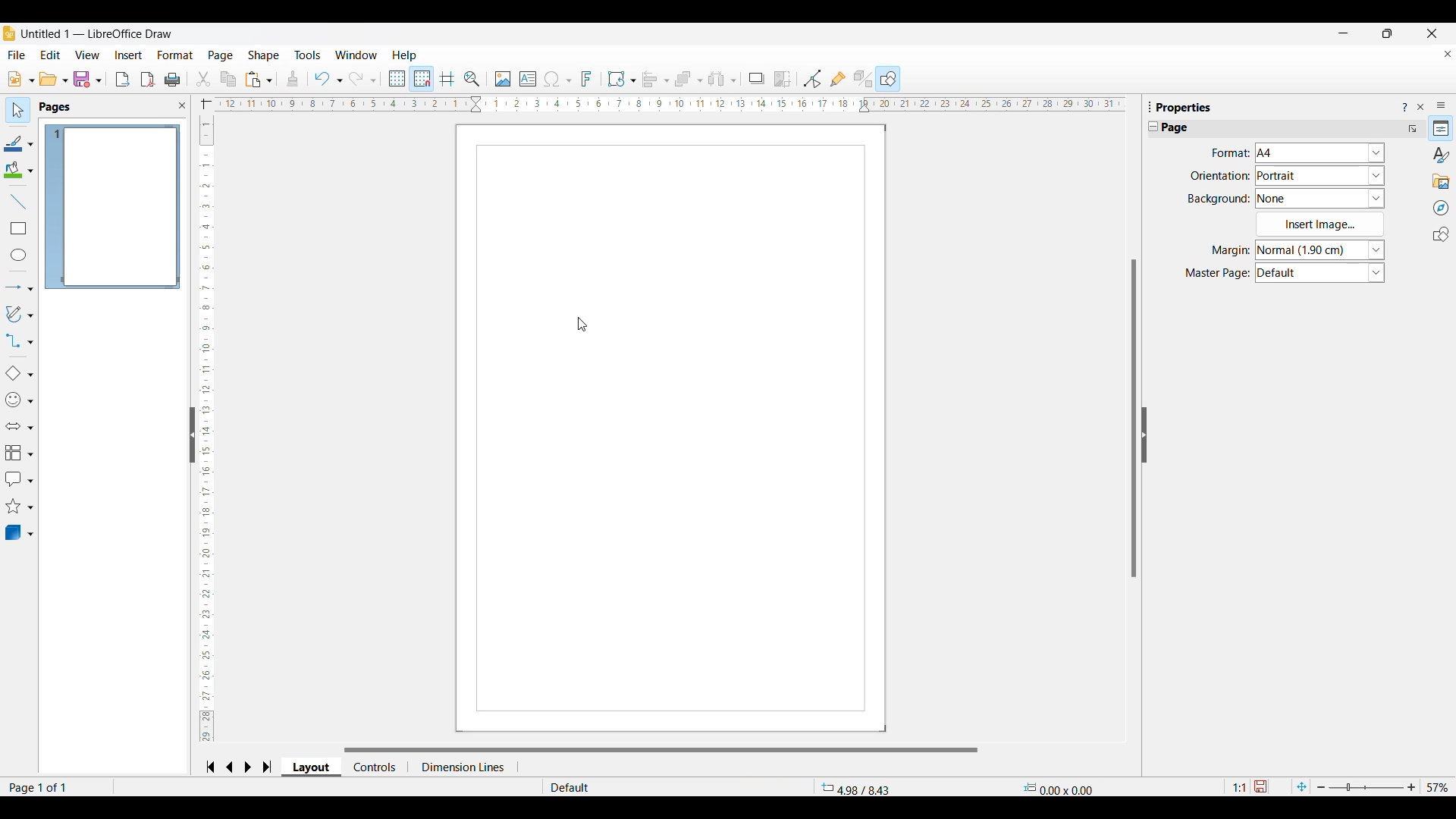  What do you see at coordinates (557, 80) in the screenshot?
I see `Insert special character options` at bounding box center [557, 80].